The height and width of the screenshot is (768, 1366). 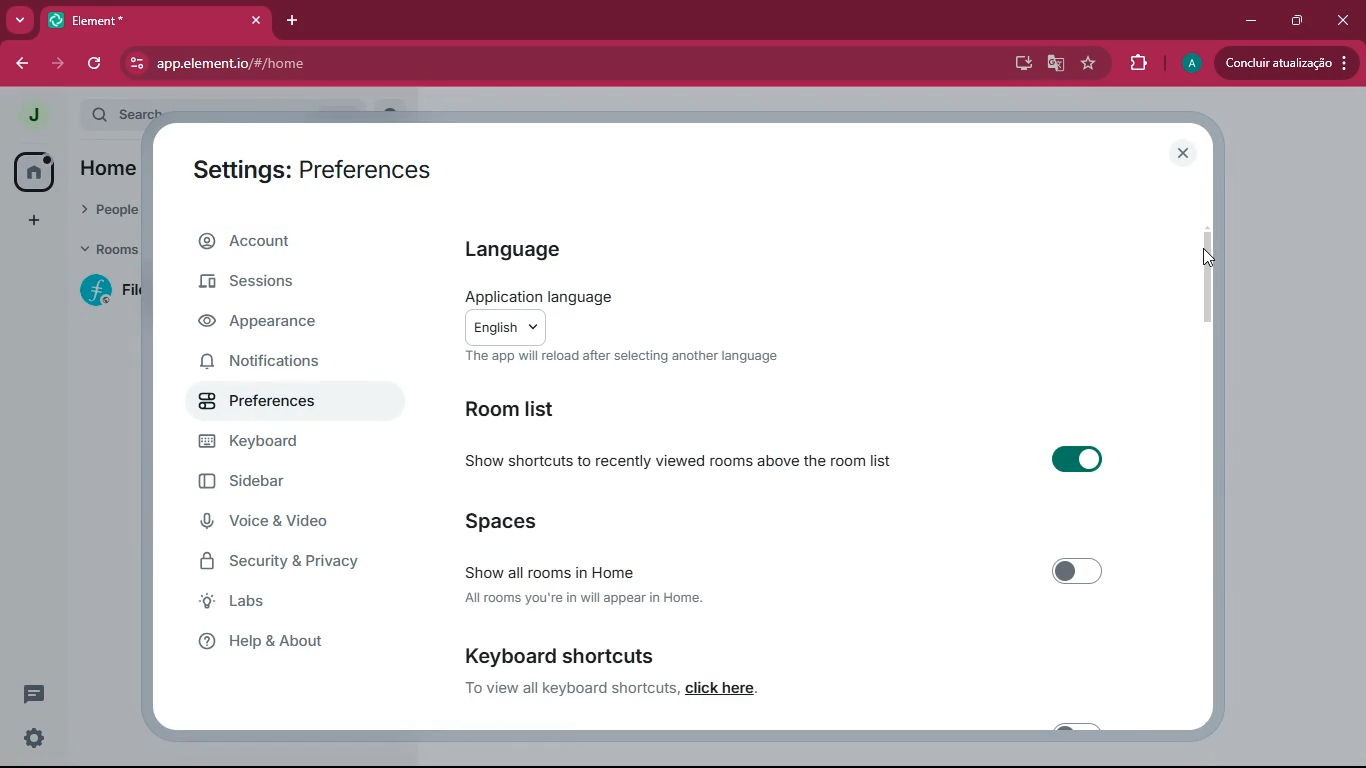 What do you see at coordinates (678, 460) in the screenshot?
I see `show shortcuts to recently viewed rooms above the room list` at bounding box center [678, 460].